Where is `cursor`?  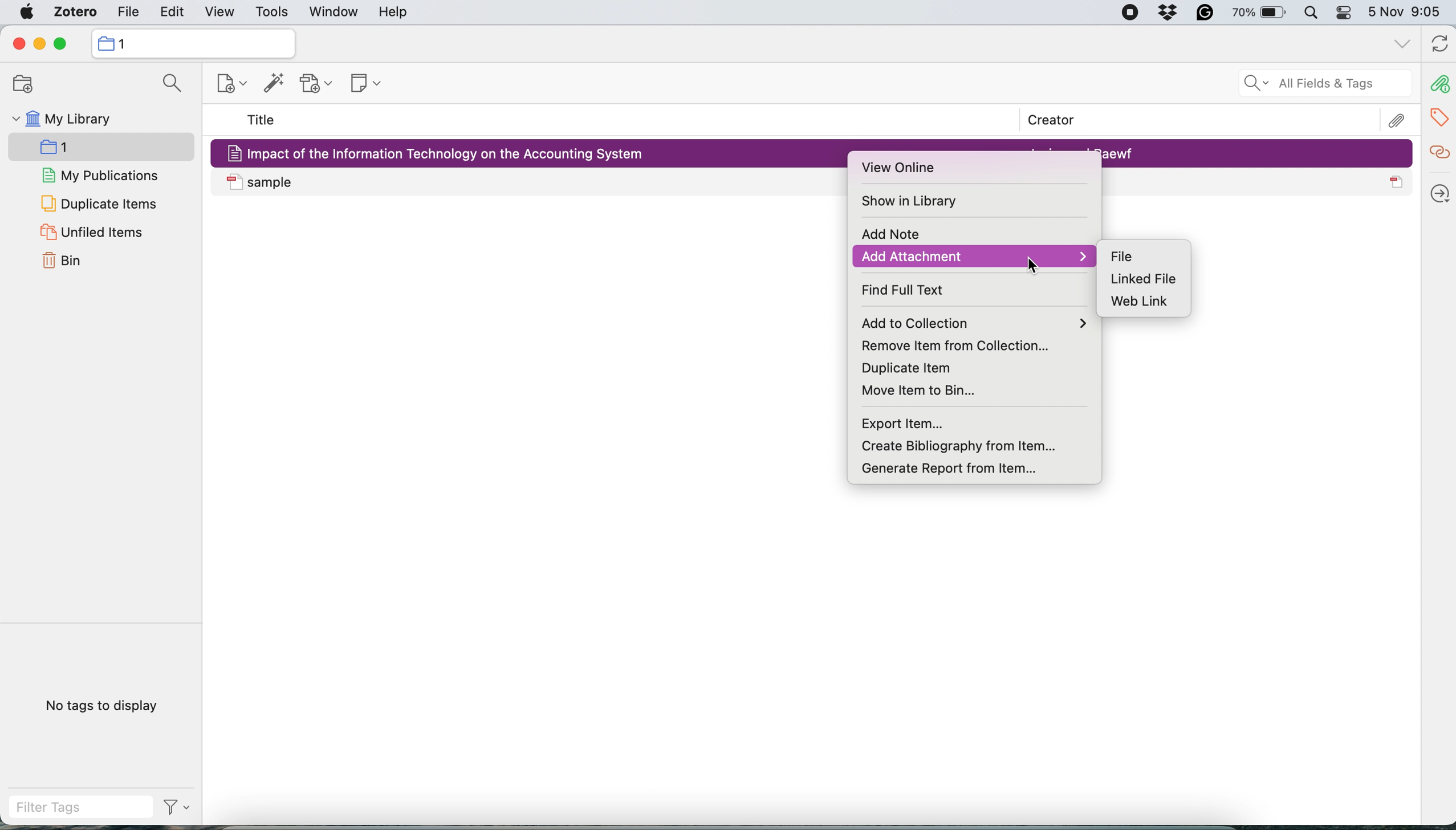 cursor is located at coordinates (1031, 265).